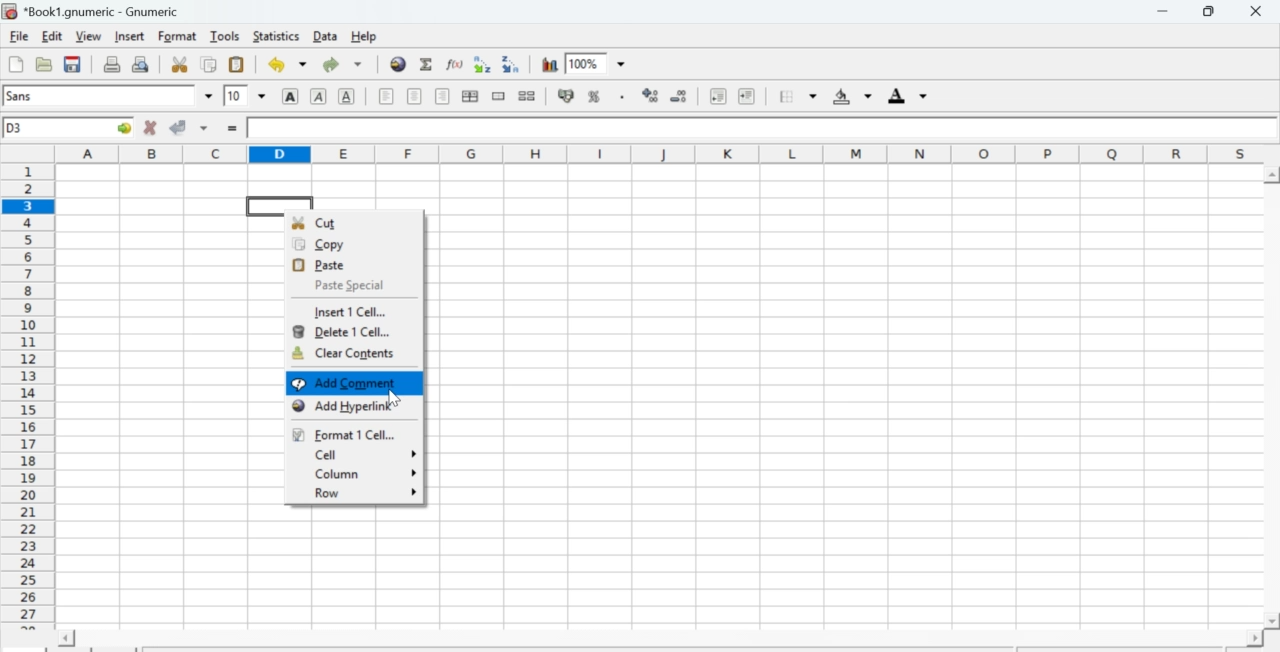 The image size is (1280, 652). What do you see at coordinates (343, 353) in the screenshot?
I see `Clear contents` at bounding box center [343, 353].